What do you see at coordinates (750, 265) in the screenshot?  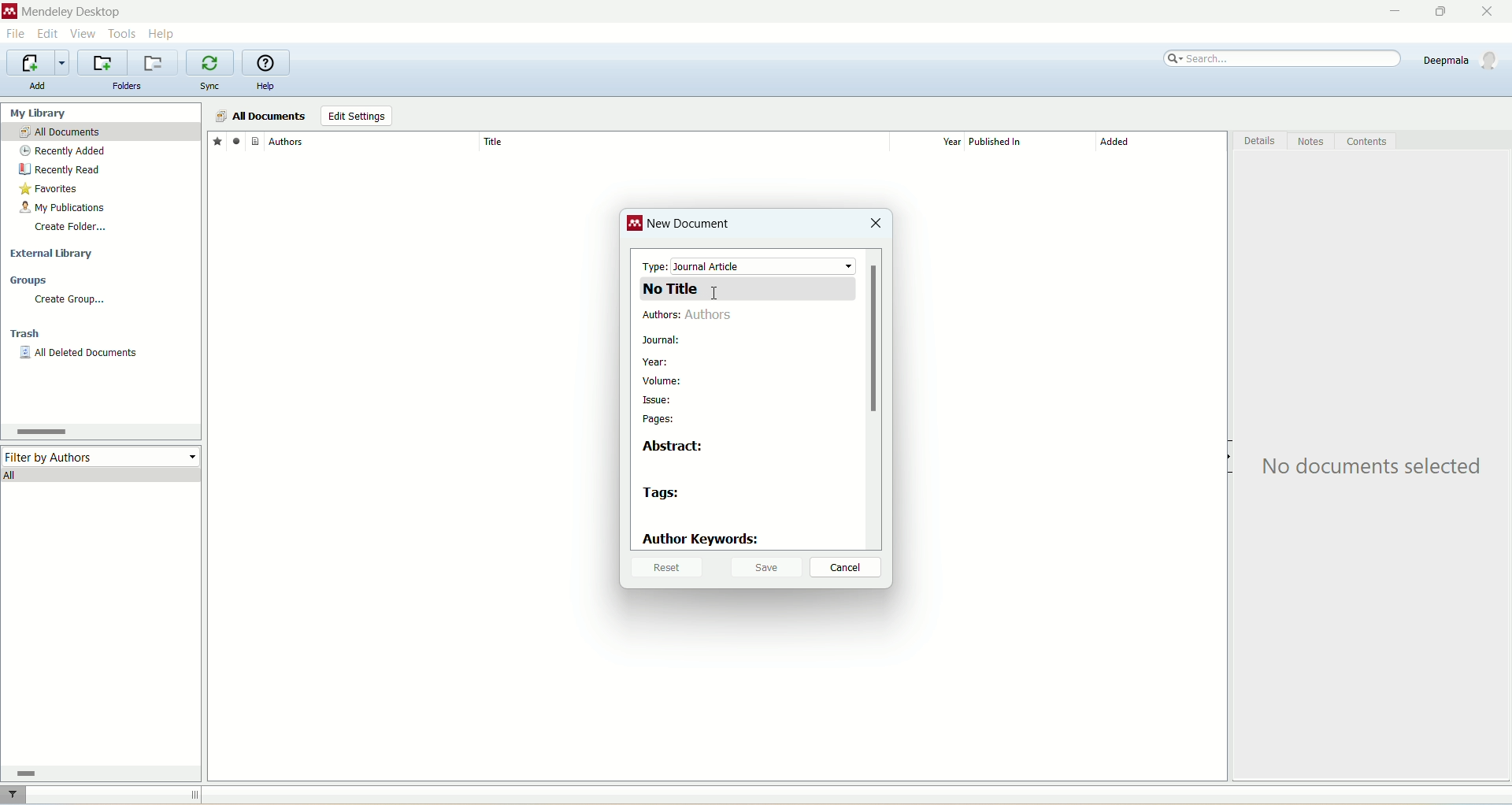 I see `type` at bounding box center [750, 265].